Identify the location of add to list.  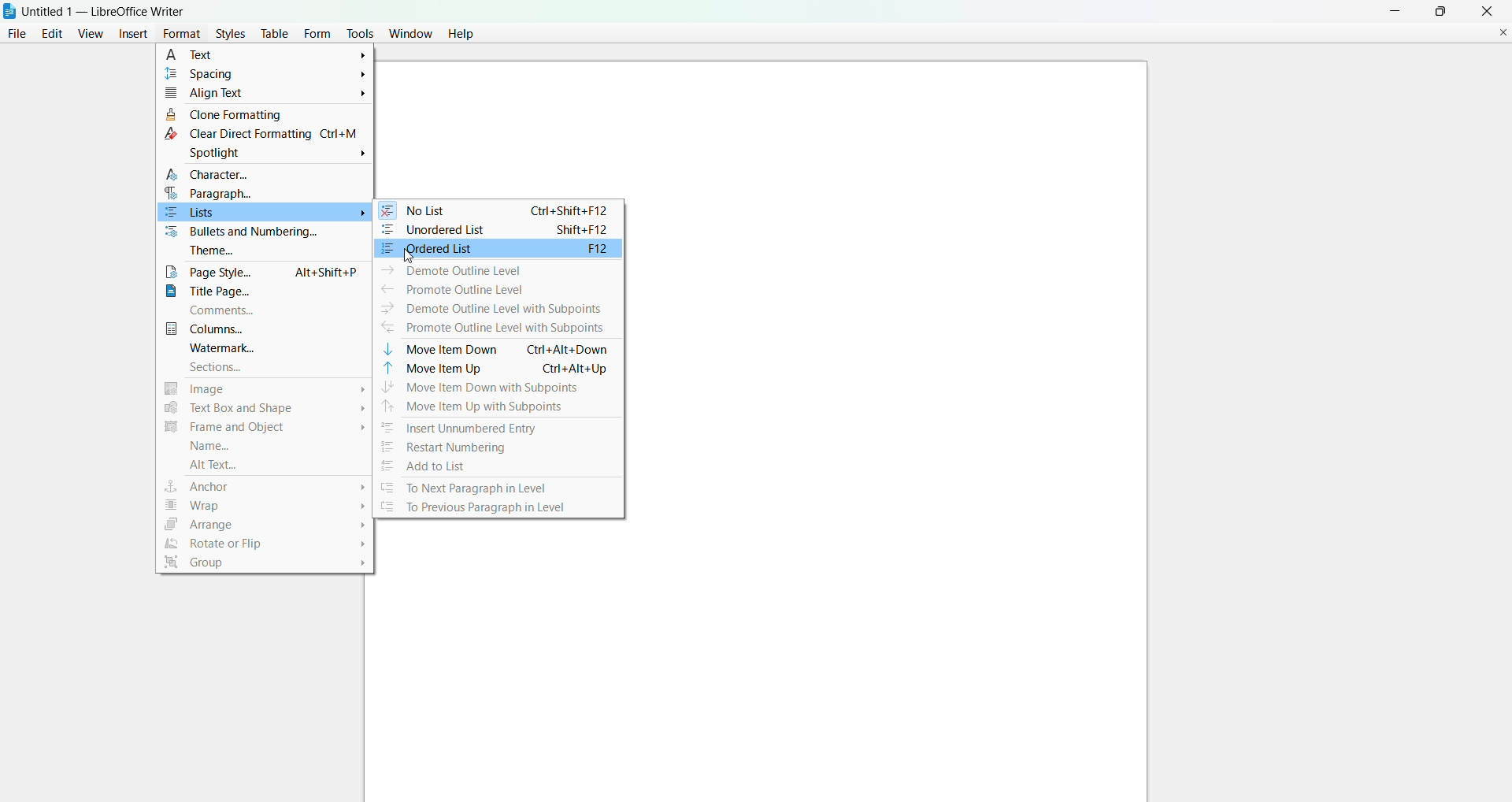
(427, 466).